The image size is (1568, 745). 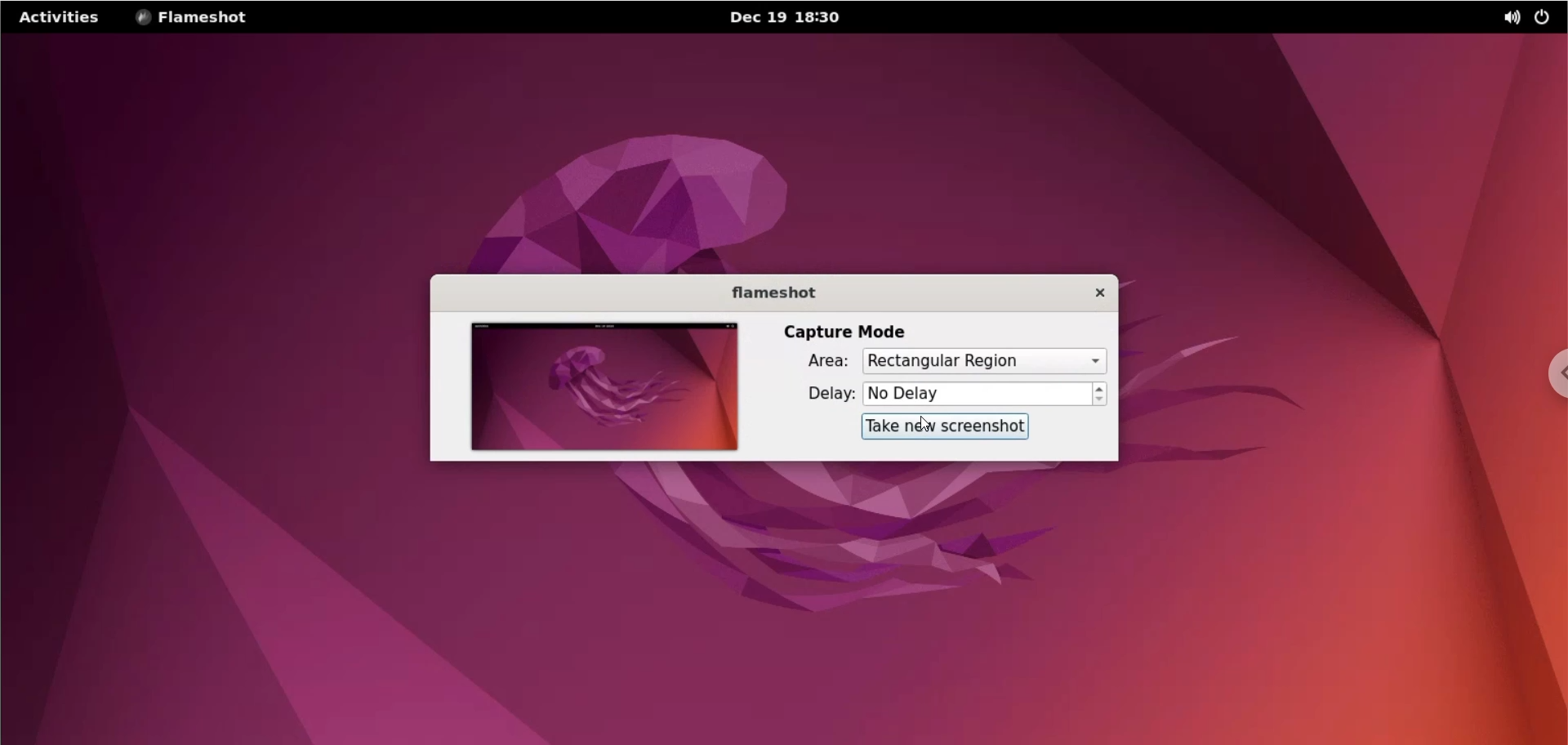 I want to click on increment and decrement delay, so click(x=1102, y=395).